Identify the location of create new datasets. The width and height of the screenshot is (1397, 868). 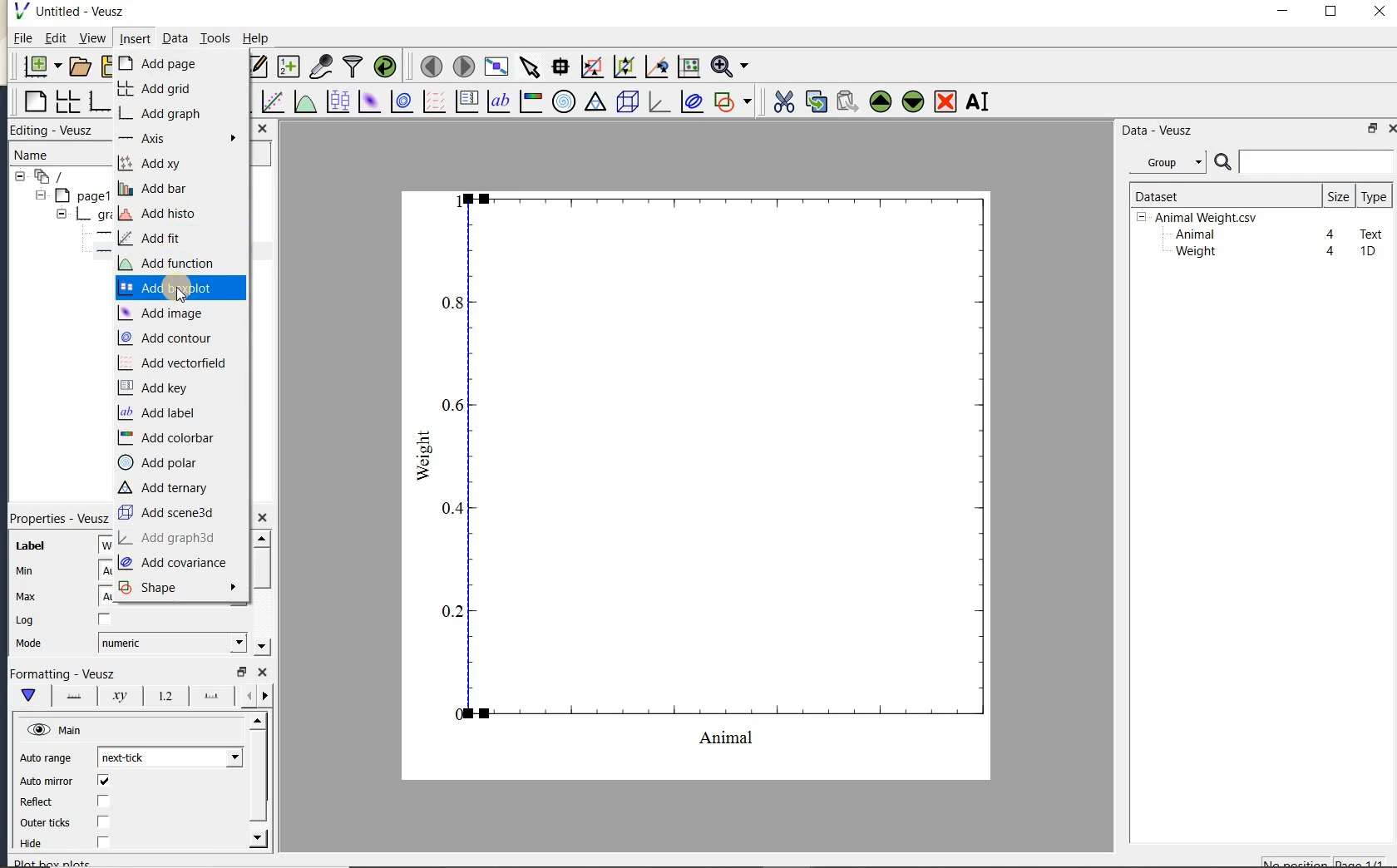
(289, 65).